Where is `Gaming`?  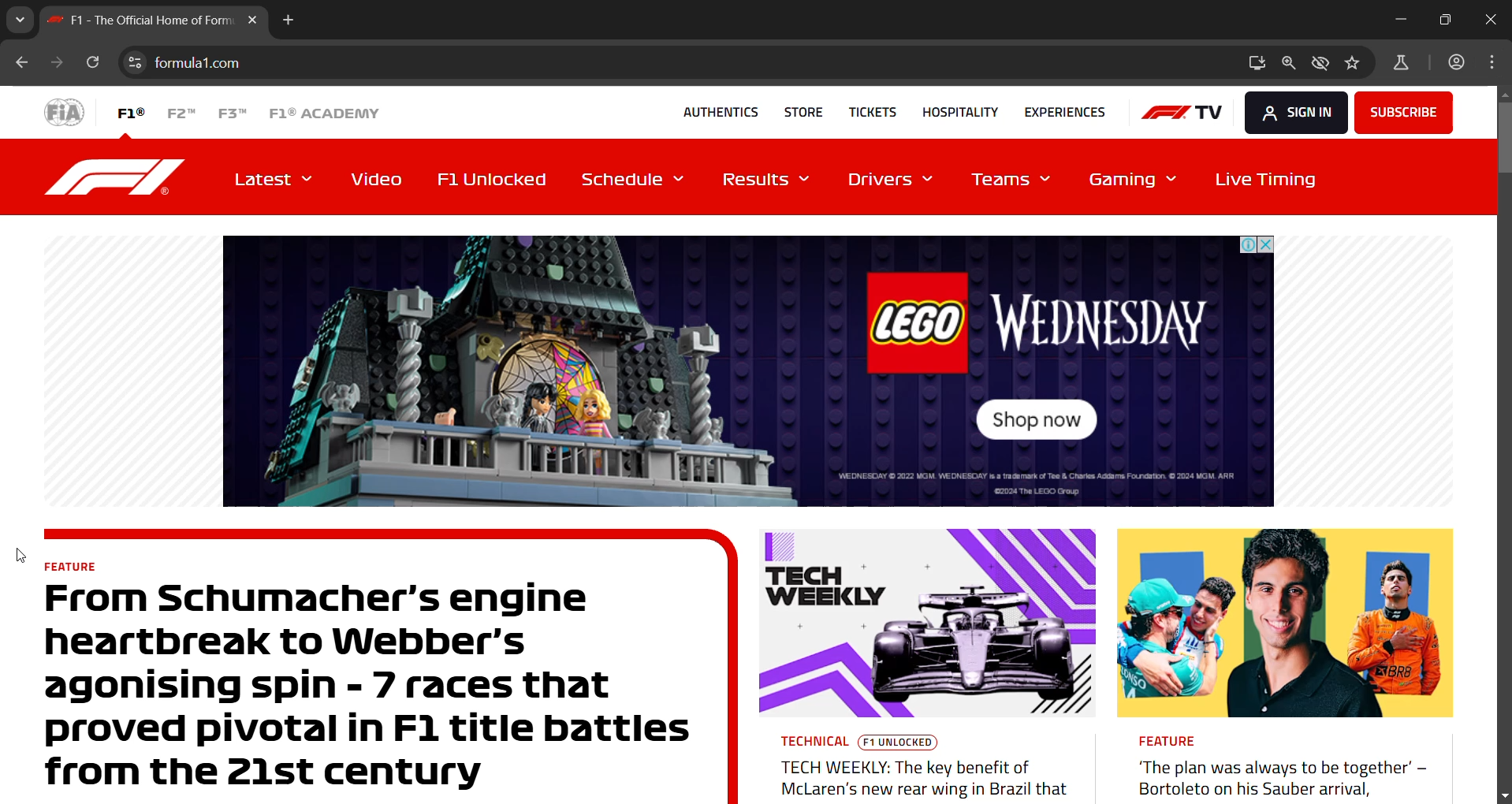
Gaming is located at coordinates (1132, 181).